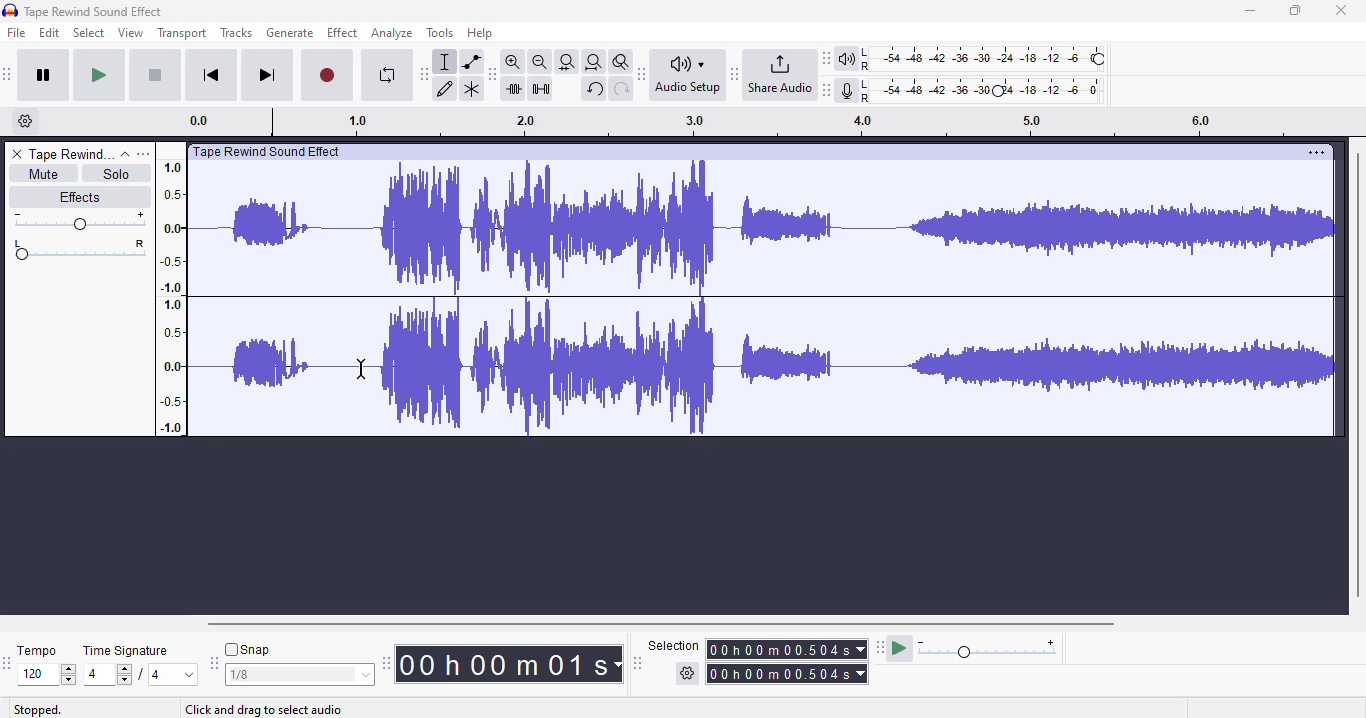 The image size is (1366, 718). What do you see at coordinates (298, 675) in the screenshot?
I see `1/8` at bounding box center [298, 675].